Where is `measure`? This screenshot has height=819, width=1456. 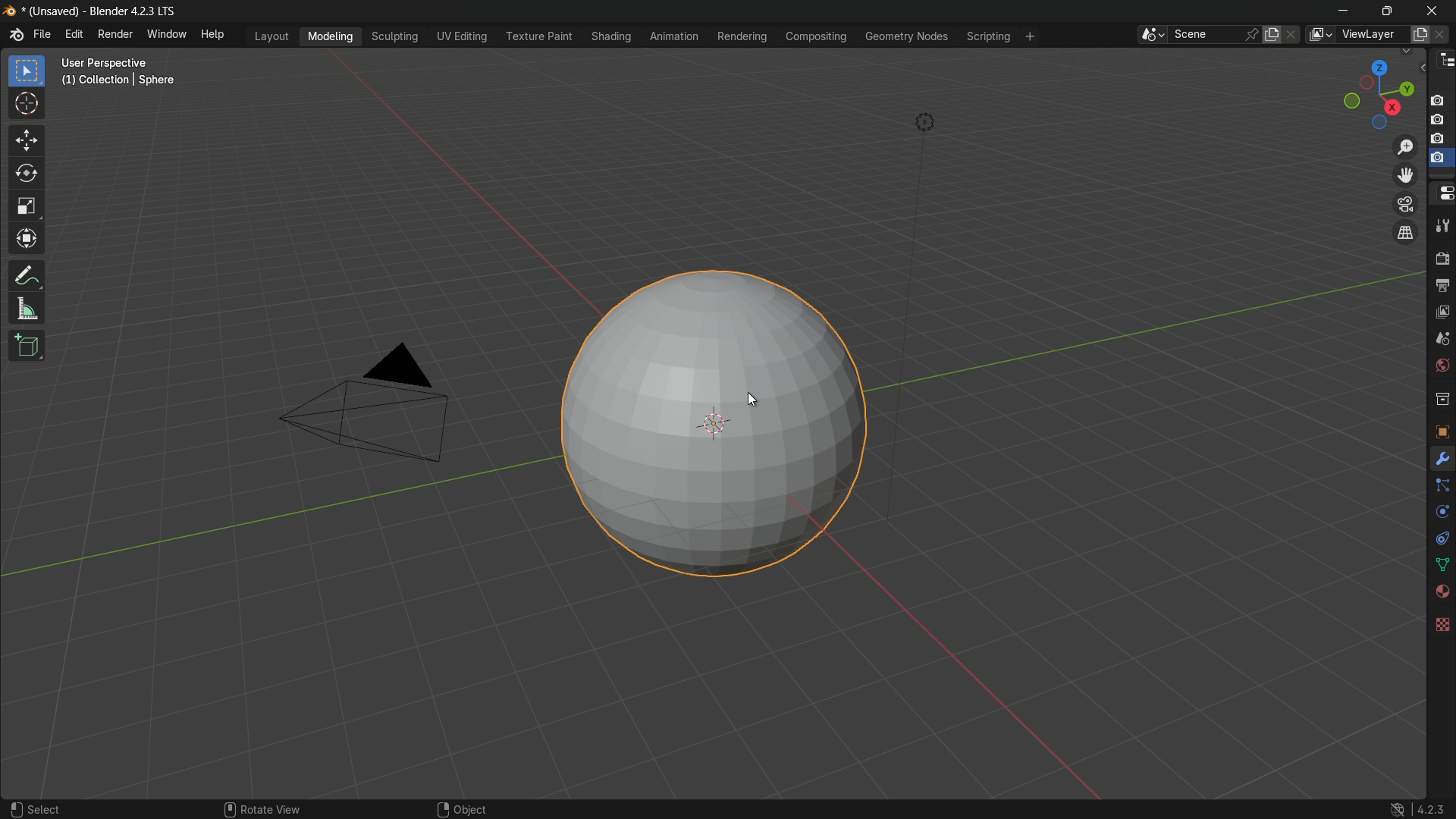 measure is located at coordinates (27, 310).